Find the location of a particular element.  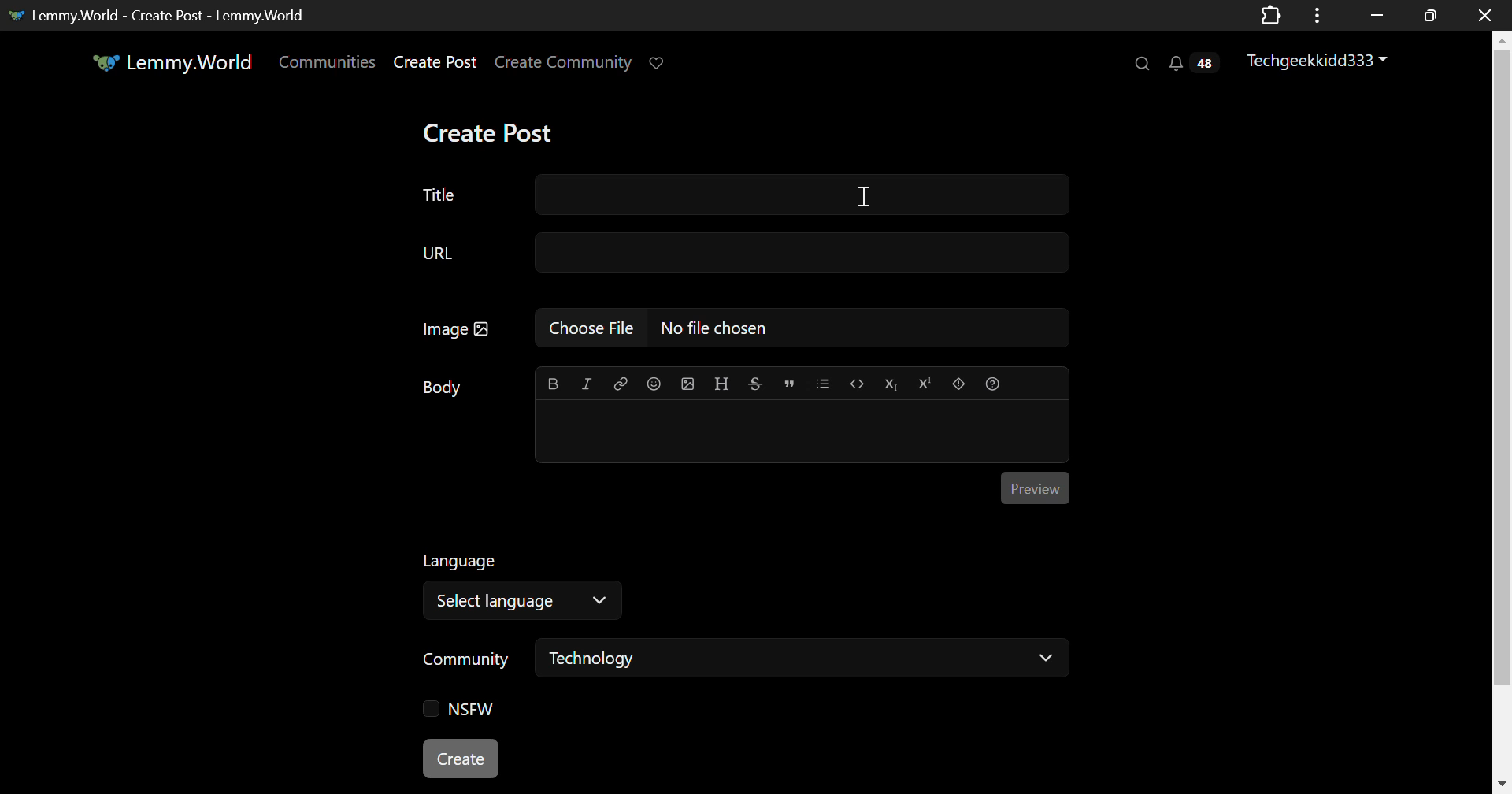

Vertical Scroll Bar is located at coordinates (1503, 412).